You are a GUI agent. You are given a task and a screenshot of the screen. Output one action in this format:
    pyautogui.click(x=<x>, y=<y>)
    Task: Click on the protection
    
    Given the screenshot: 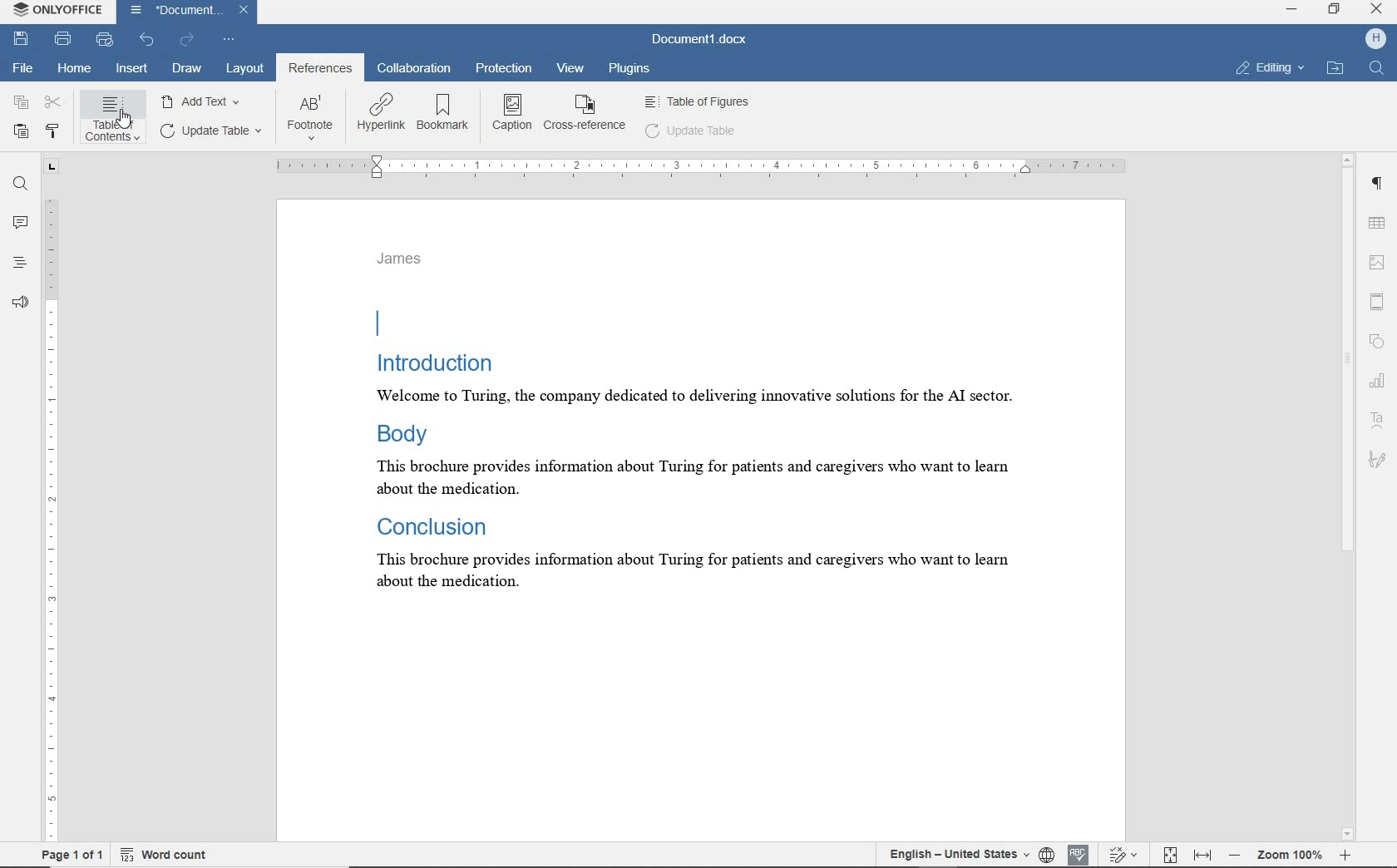 What is the action you would take?
    pyautogui.click(x=504, y=68)
    